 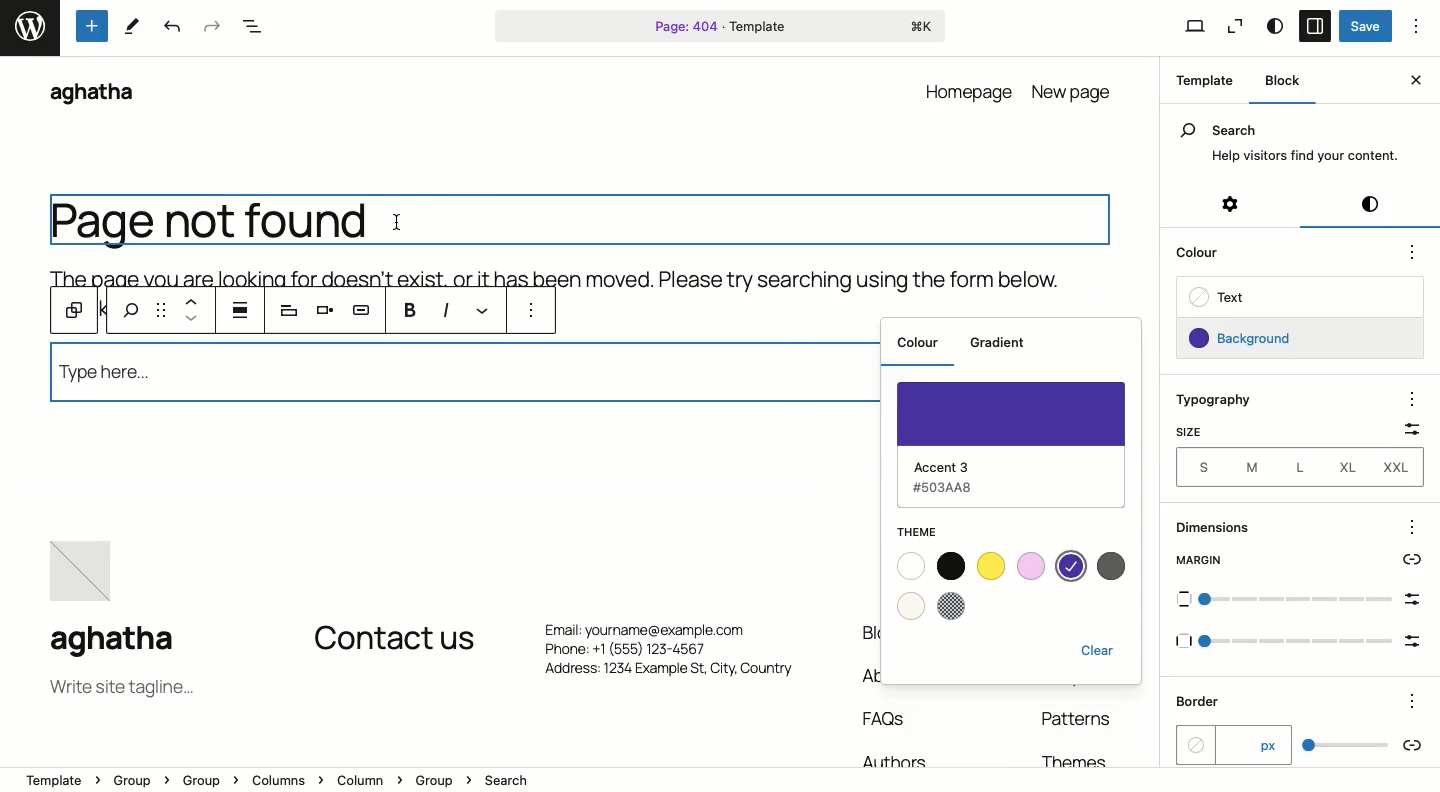 What do you see at coordinates (410, 309) in the screenshot?
I see `B` at bounding box center [410, 309].